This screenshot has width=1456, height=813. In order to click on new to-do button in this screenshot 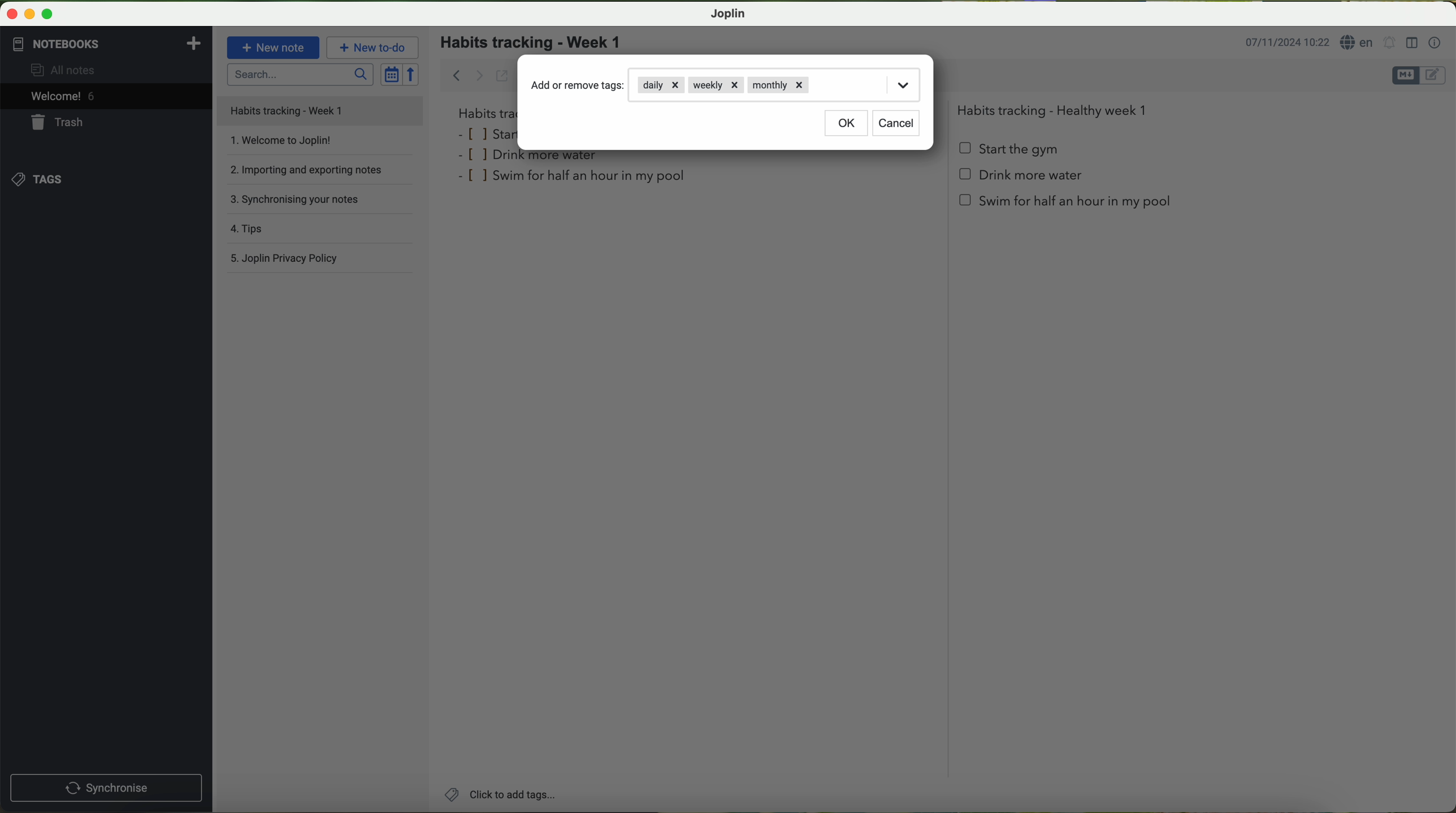, I will do `click(372, 47)`.